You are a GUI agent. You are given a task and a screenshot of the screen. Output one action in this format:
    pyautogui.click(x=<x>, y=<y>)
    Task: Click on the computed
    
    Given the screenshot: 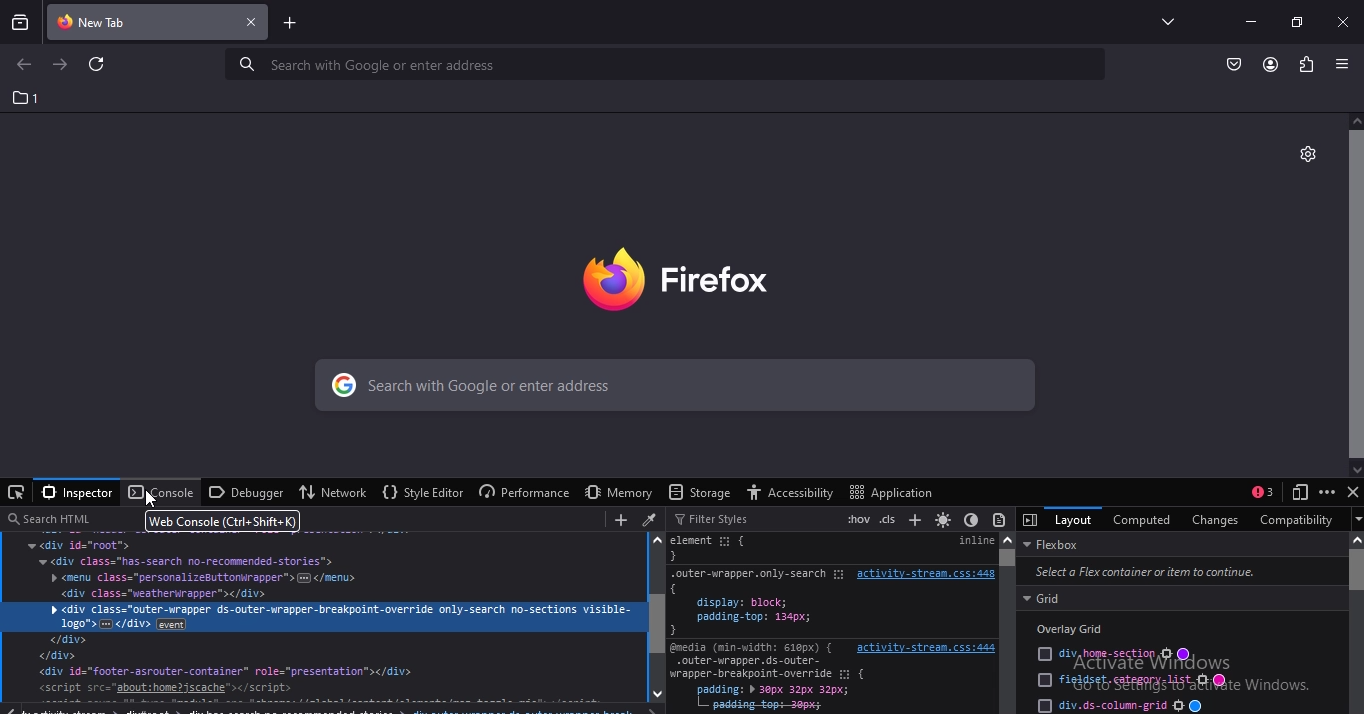 What is the action you would take?
    pyautogui.click(x=1140, y=518)
    